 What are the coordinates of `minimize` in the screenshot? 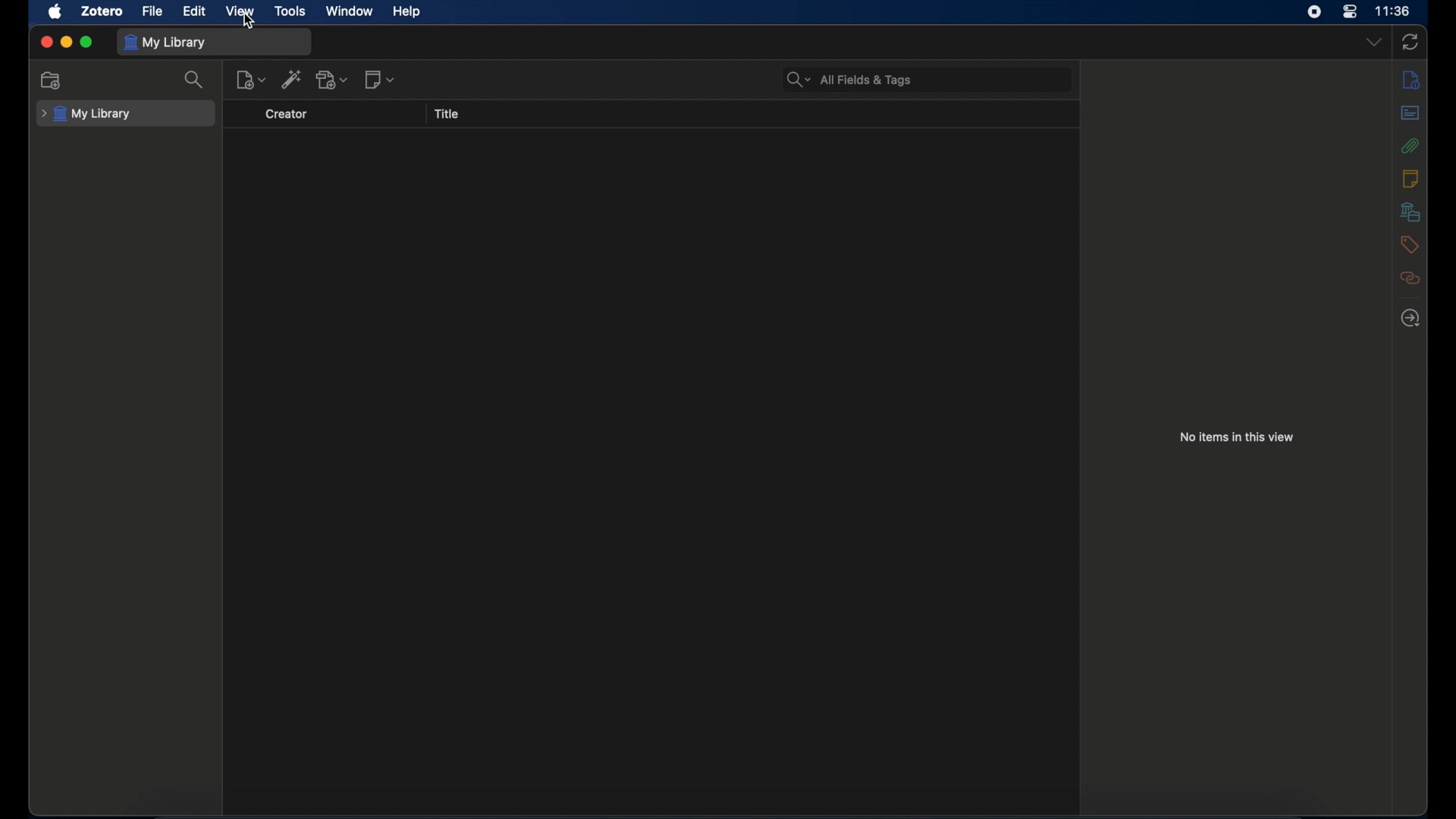 It's located at (67, 42).